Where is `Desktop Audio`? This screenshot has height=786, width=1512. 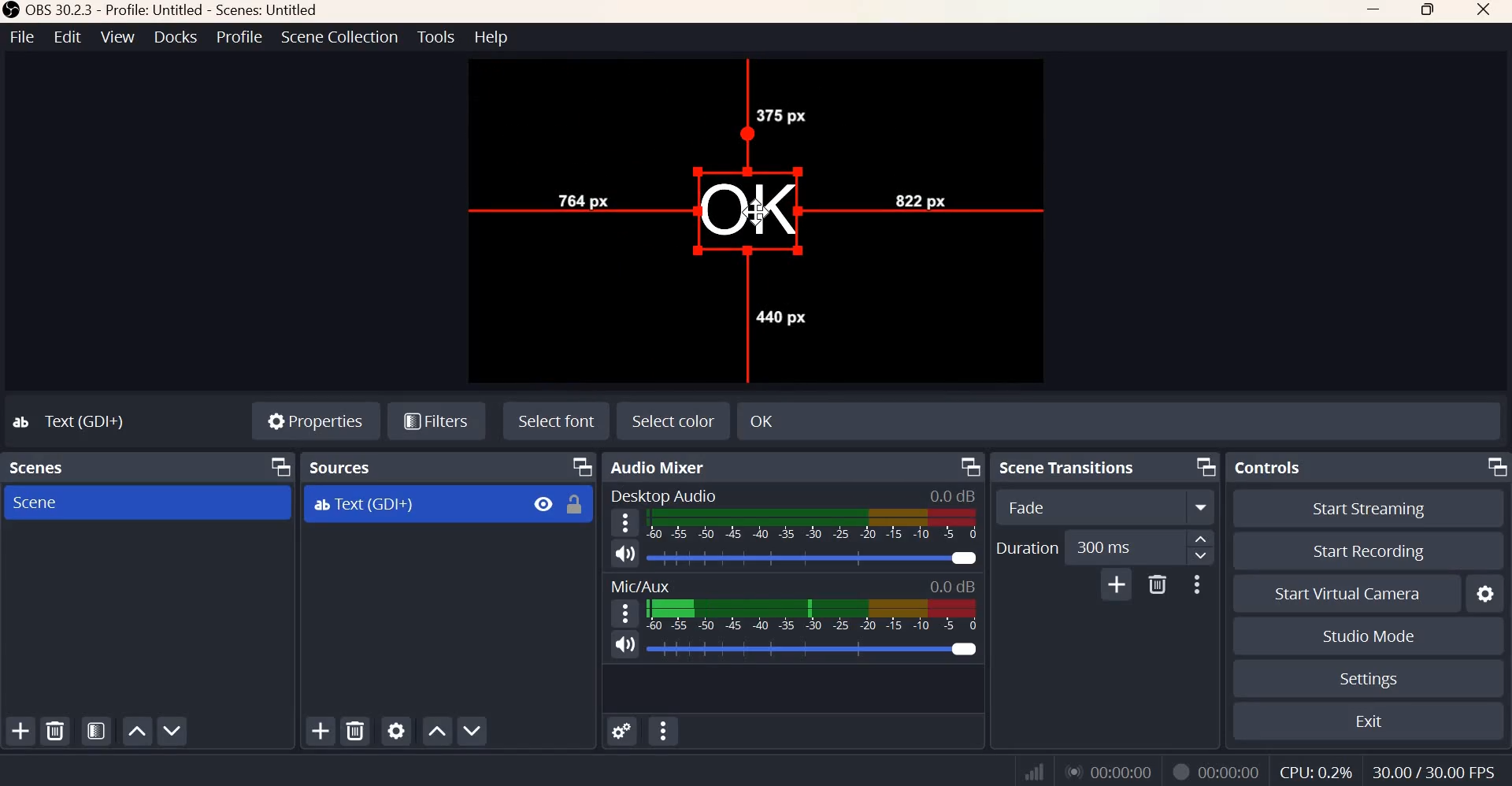
Desktop Audio is located at coordinates (662, 495).